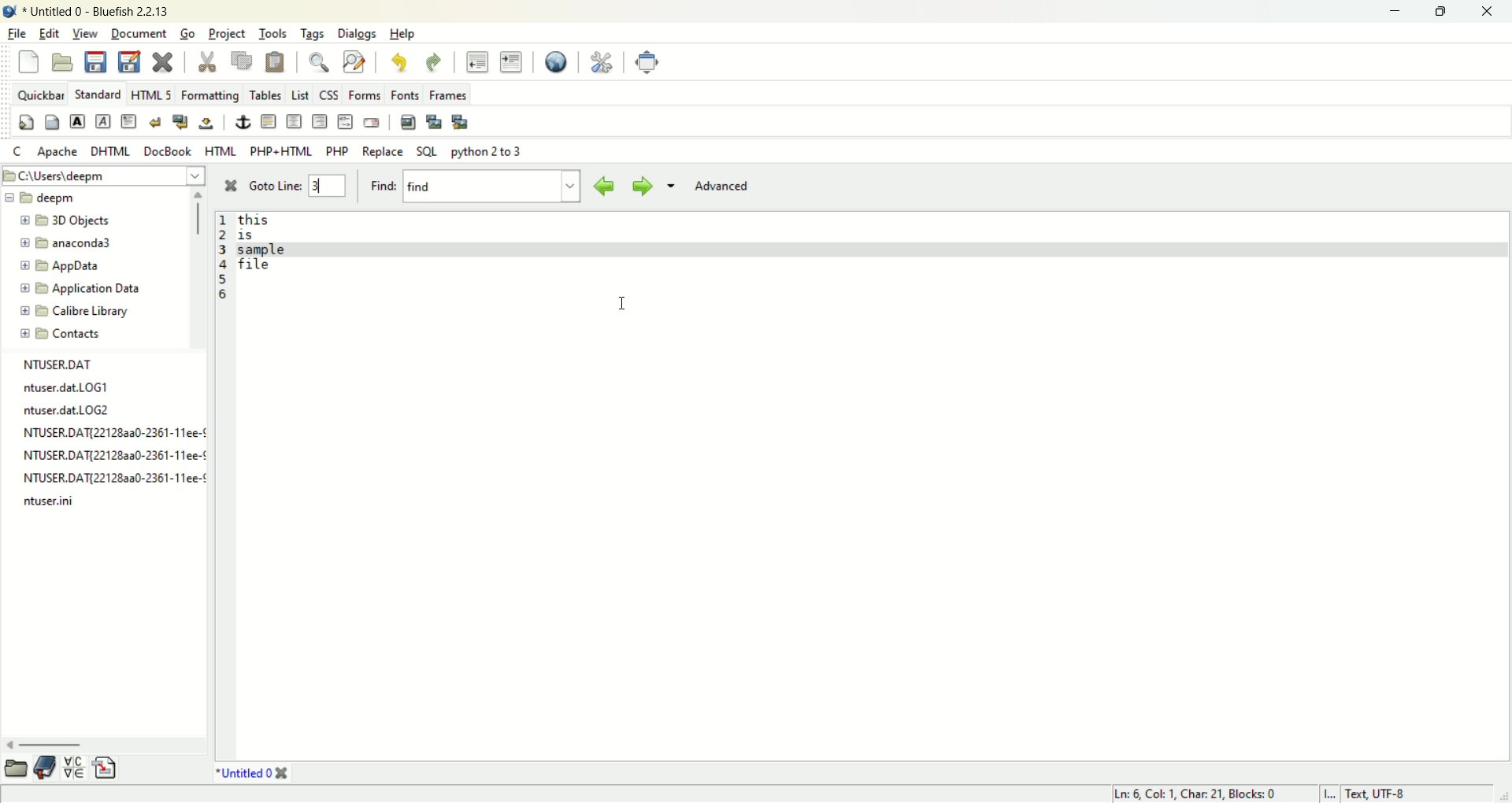 The height and width of the screenshot is (803, 1512). Describe the element at coordinates (328, 183) in the screenshot. I see `3` at that location.